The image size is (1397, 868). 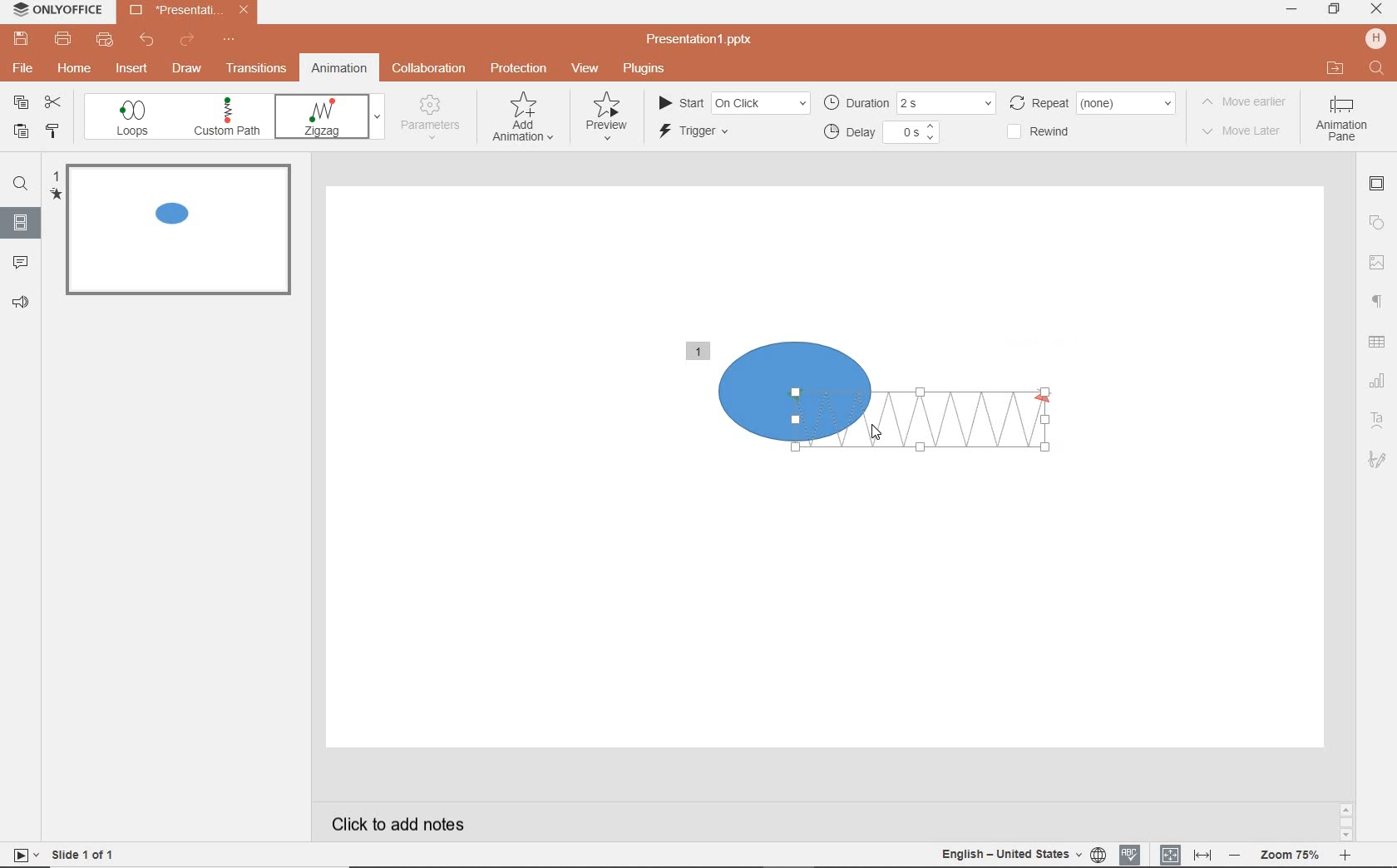 What do you see at coordinates (76, 71) in the screenshot?
I see `home` at bounding box center [76, 71].